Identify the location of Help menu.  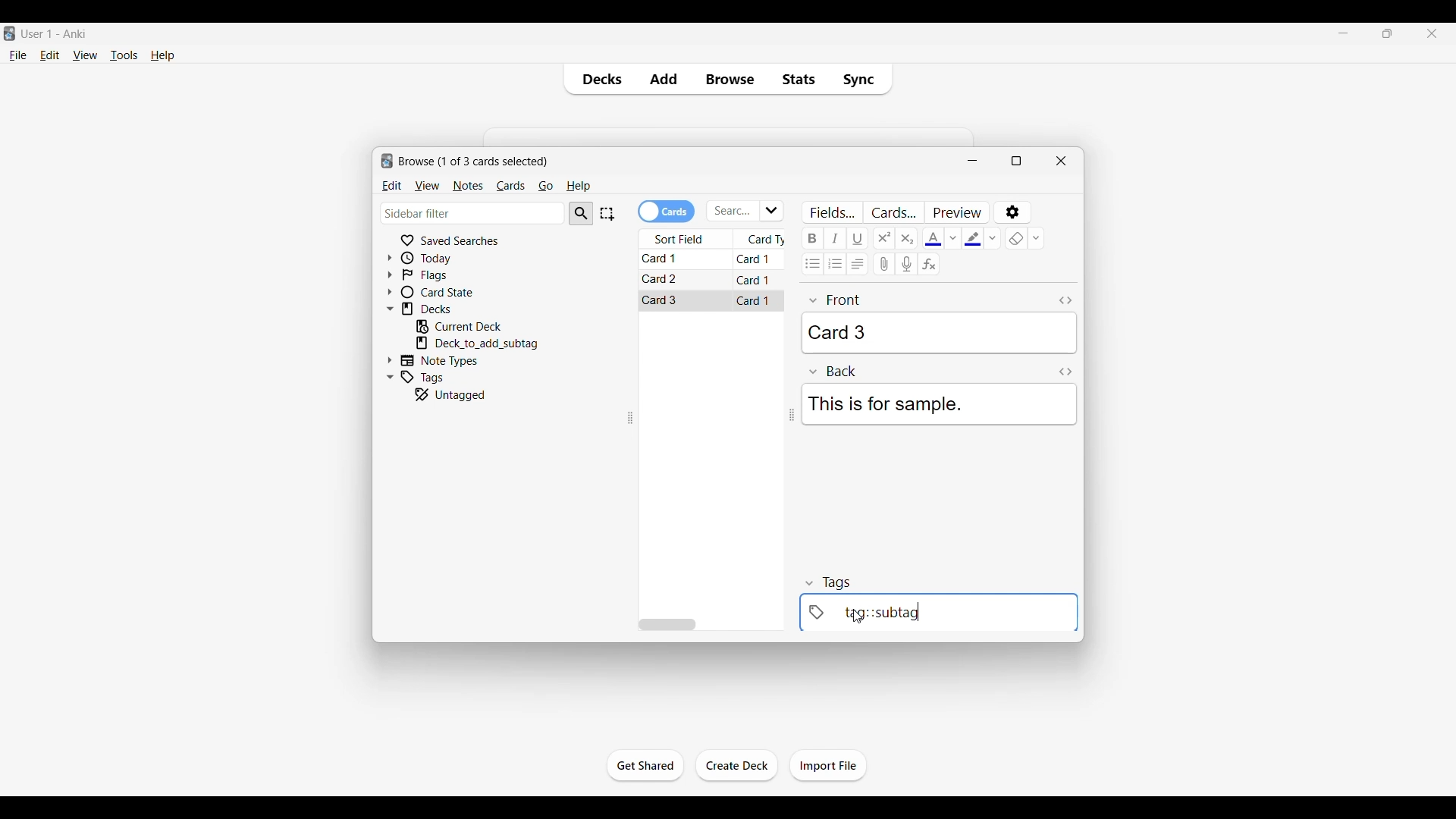
(578, 187).